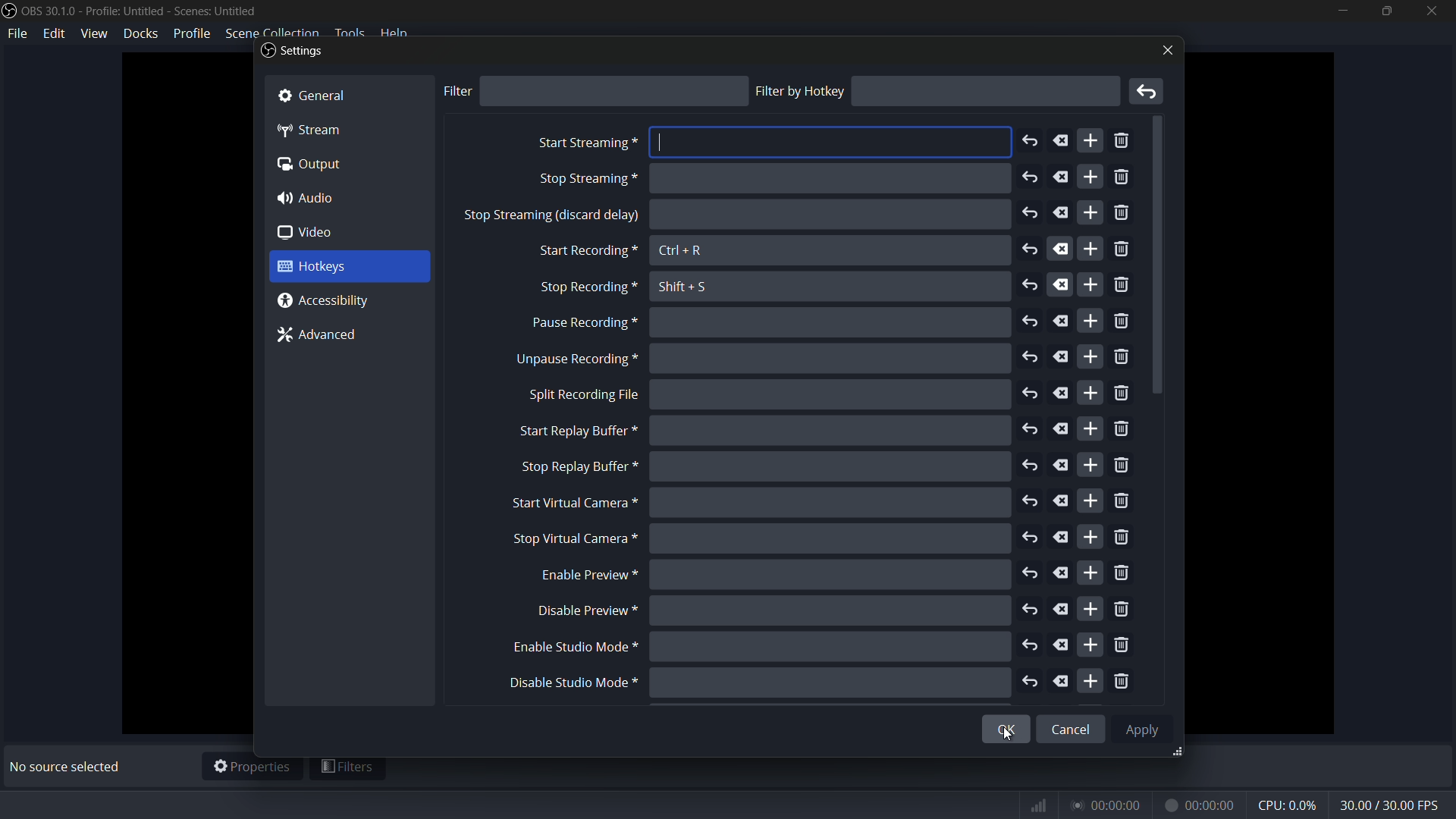  I want to click on cpu usage, so click(1289, 805).